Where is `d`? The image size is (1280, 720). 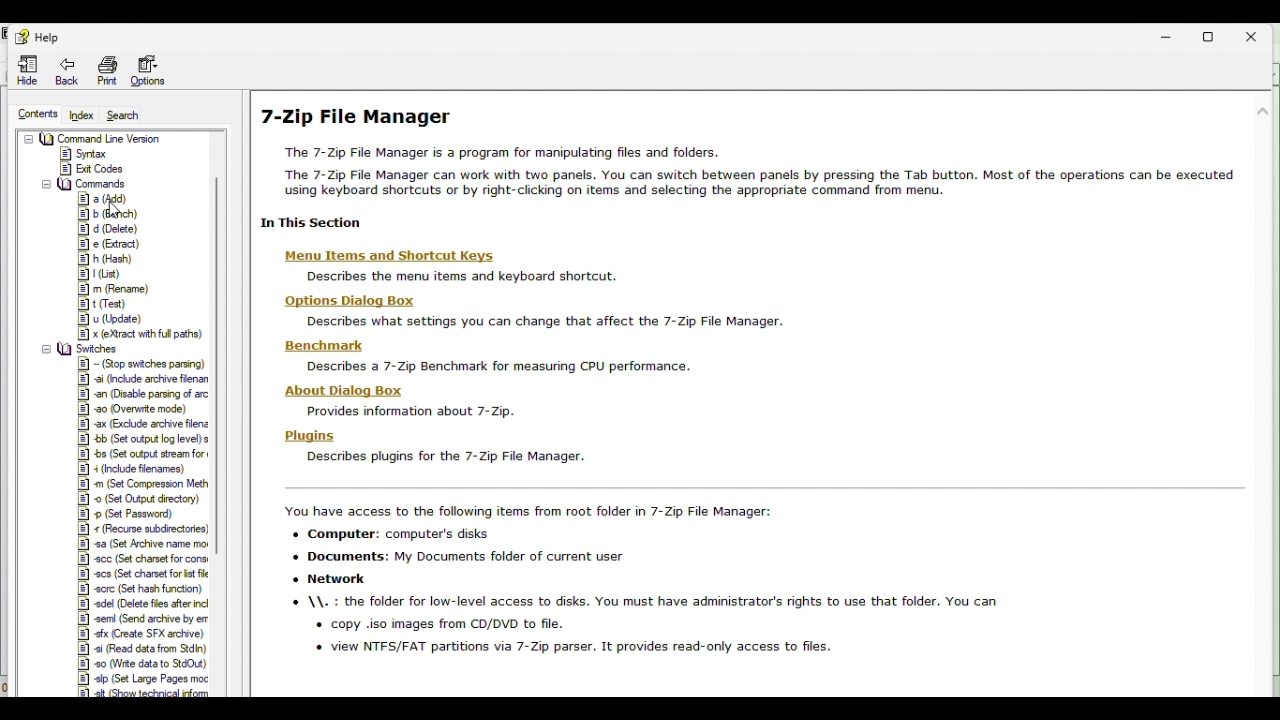
d is located at coordinates (112, 228).